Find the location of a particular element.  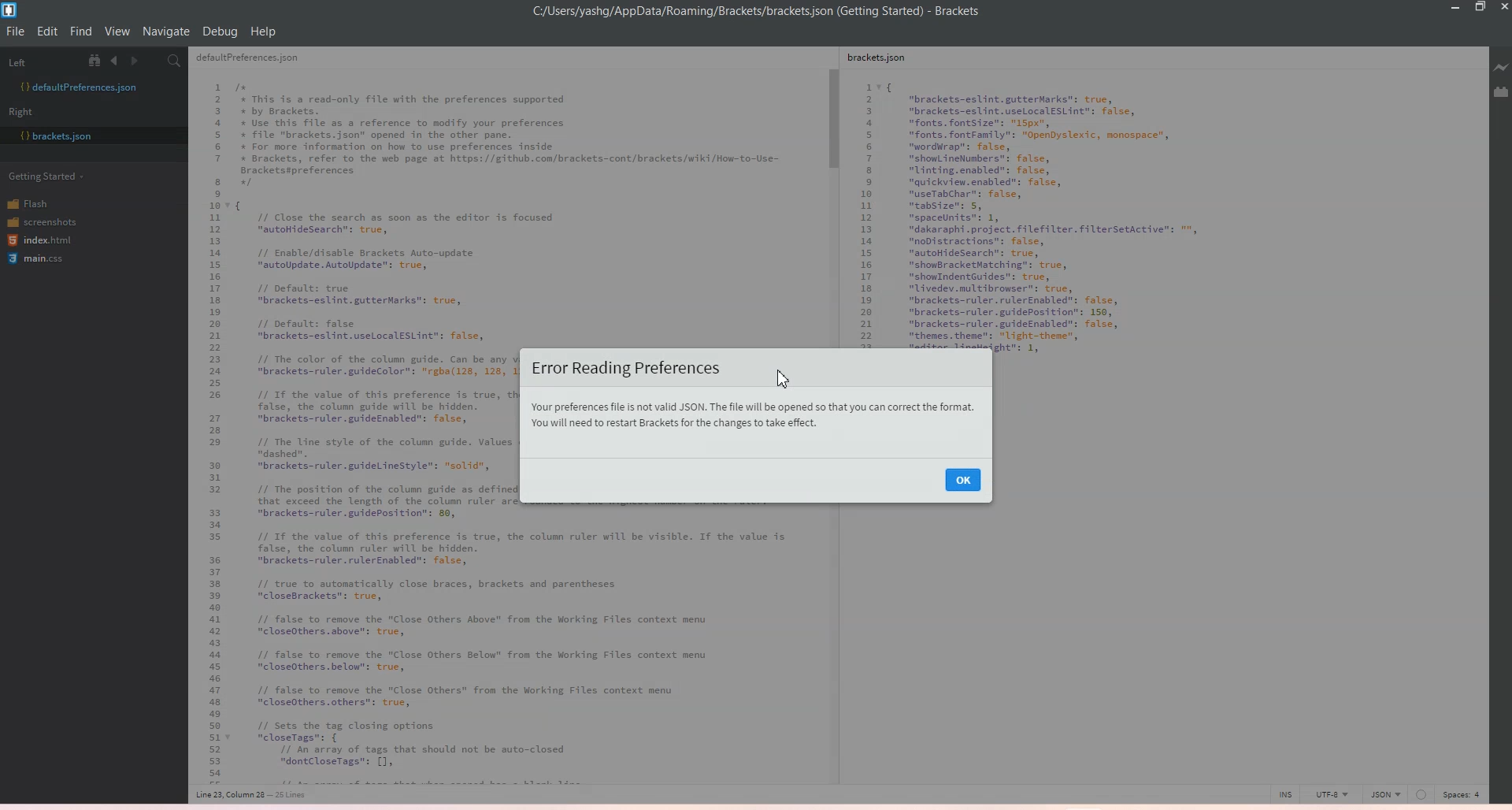

Live Preview is located at coordinates (1499, 68).